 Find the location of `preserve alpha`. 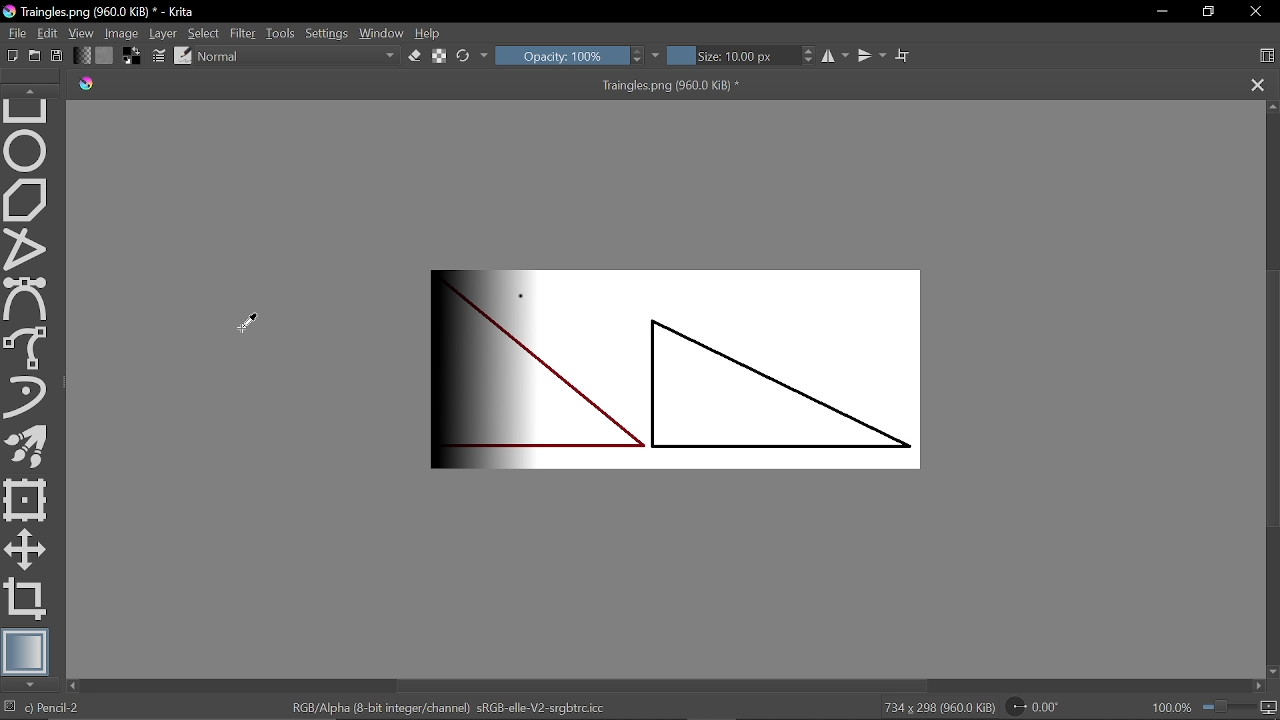

preserve alpha is located at coordinates (440, 58).